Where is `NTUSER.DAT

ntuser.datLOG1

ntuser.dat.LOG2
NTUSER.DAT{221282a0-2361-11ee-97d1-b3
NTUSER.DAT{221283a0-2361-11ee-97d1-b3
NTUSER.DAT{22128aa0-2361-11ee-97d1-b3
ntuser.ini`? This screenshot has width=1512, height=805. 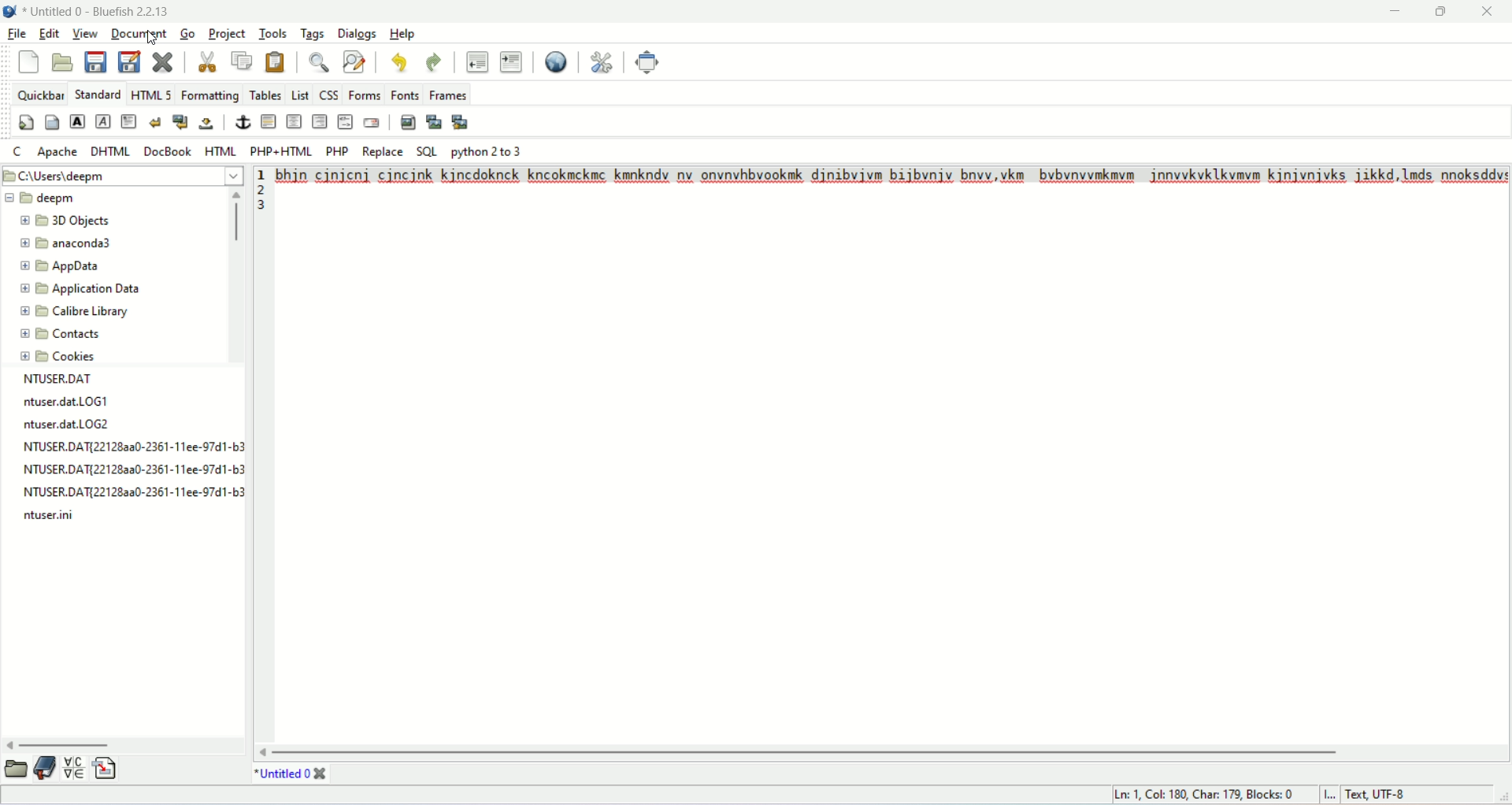
NTUSER.DAT

ntuser.datLOG1

ntuser.dat.LOG2
NTUSER.DAT{221282a0-2361-11ee-97d1-b3
NTUSER.DAT{221283a0-2361-11ee-97d1-b3
NTUSER.DAT{22128aa0-2361-11ee-97d1-b3
ntuser.ini is located at coordinates (140, 462).